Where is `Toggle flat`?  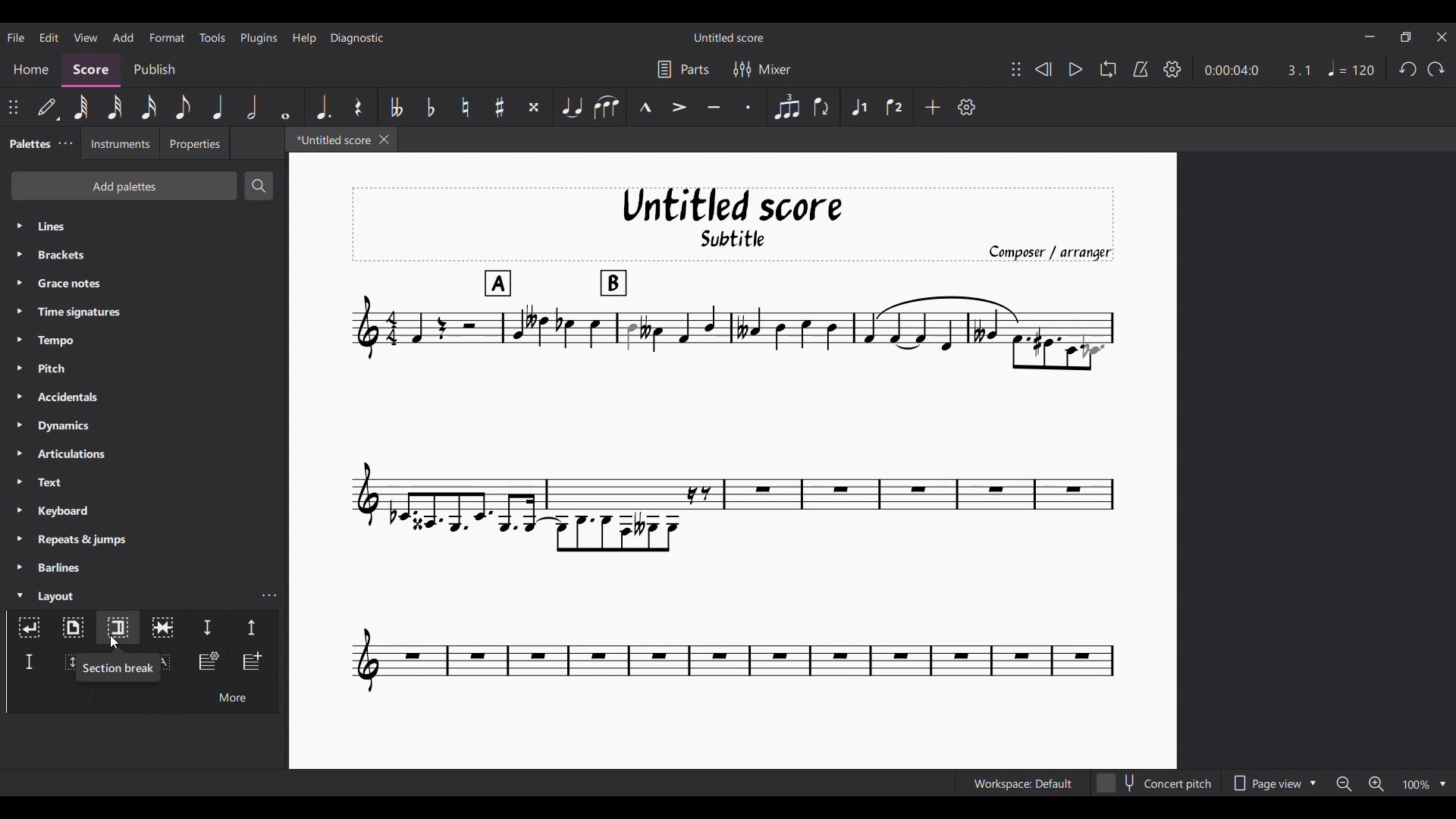
Toggle flat is located at coordinates (431, 107).